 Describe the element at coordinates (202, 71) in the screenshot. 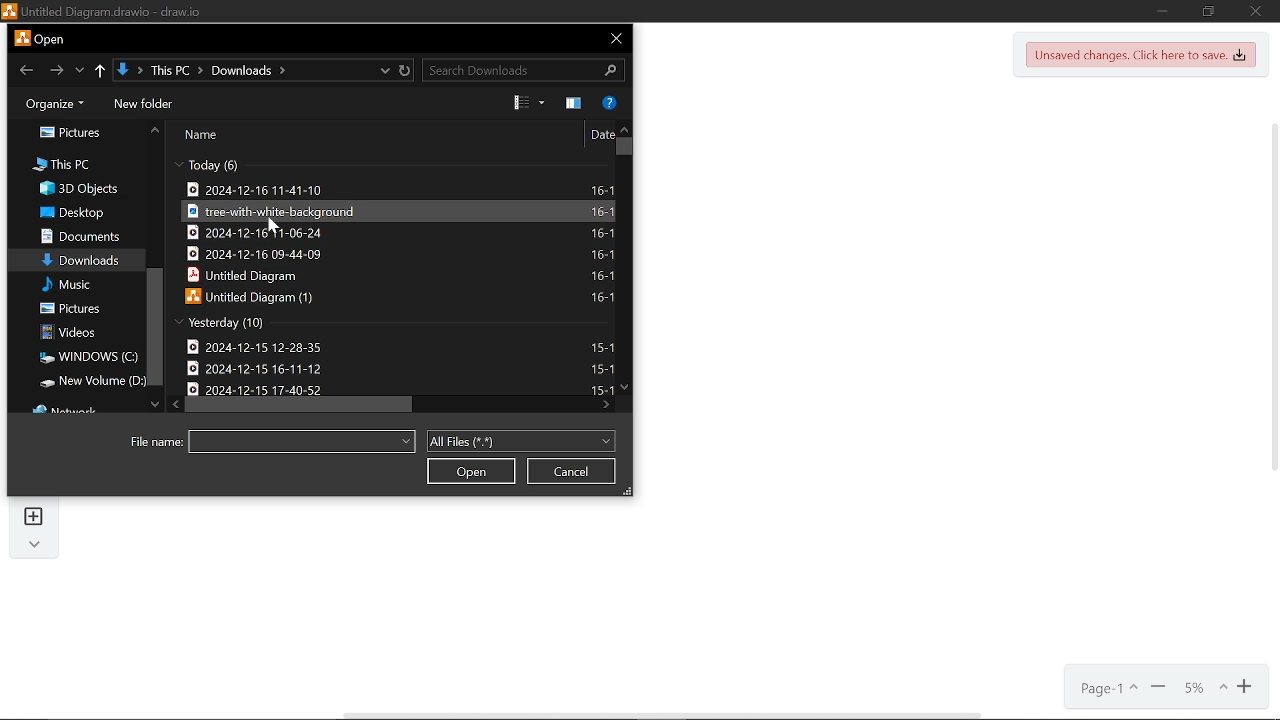

I see `Current location path` at that location.